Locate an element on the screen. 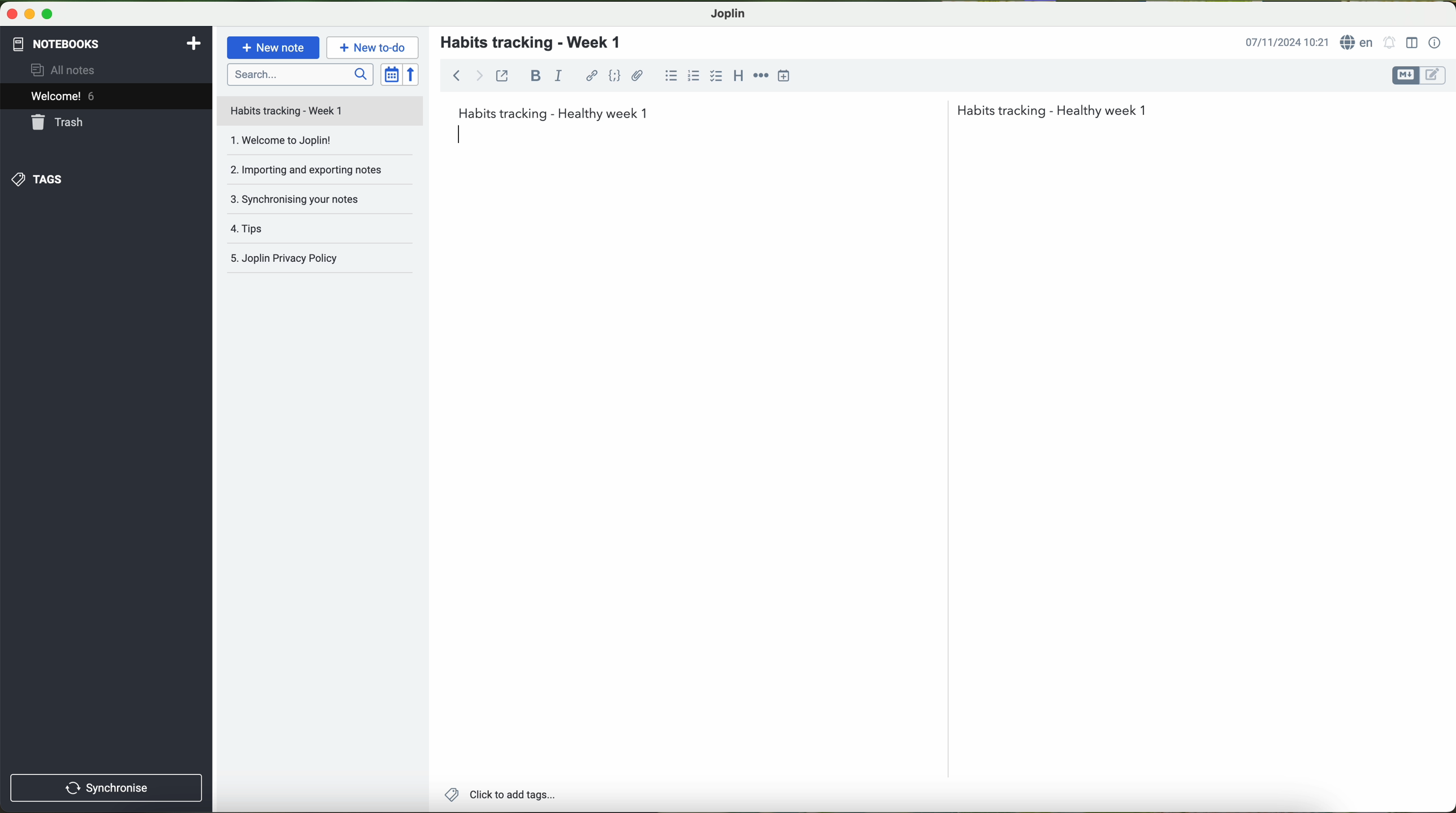 This screenshot has height=813, width=1456. importing and exporting notes is located at coordinates (319, 174).